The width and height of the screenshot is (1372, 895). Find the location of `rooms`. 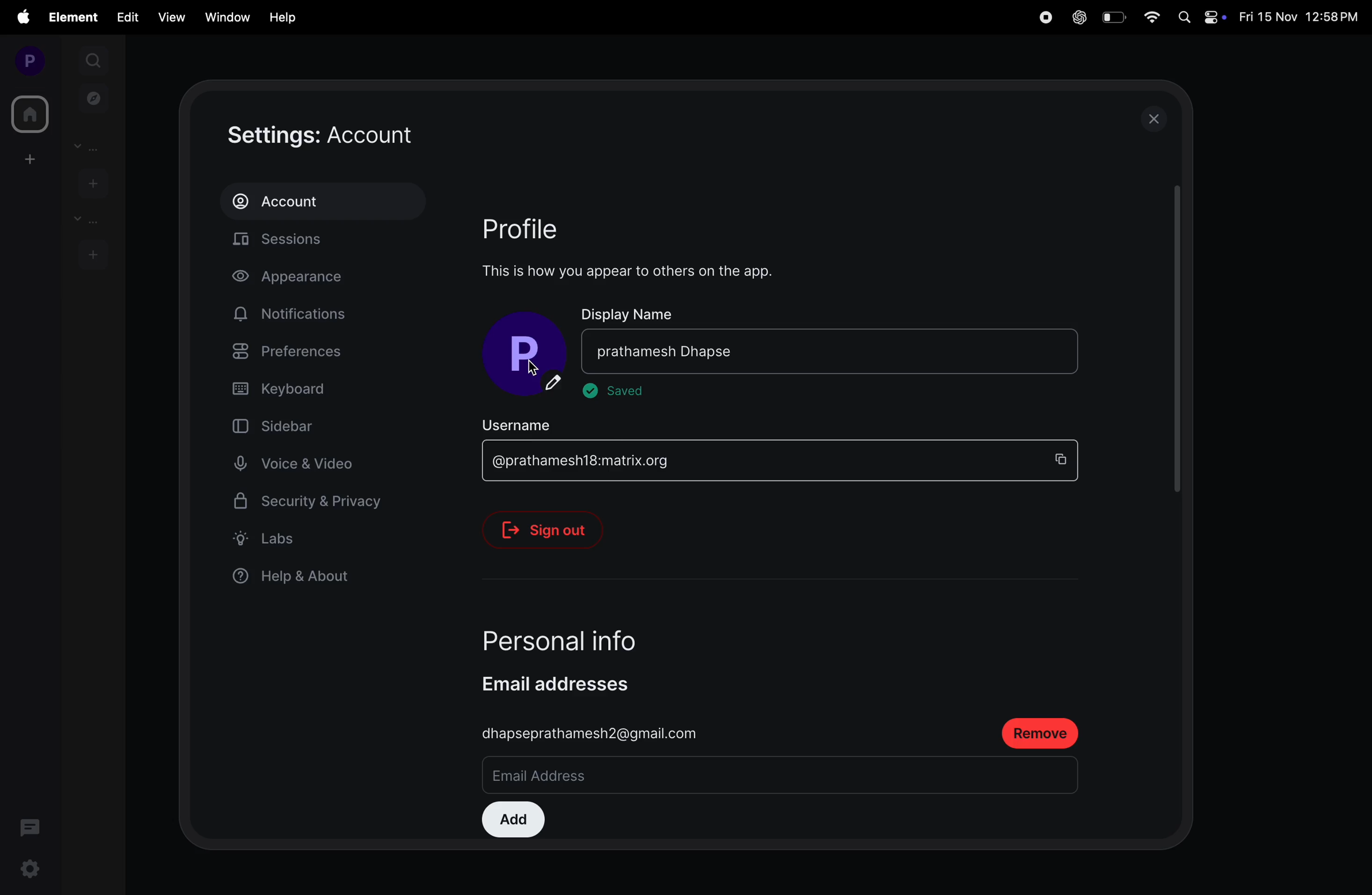

rooms is located at coordinates (84, 220).